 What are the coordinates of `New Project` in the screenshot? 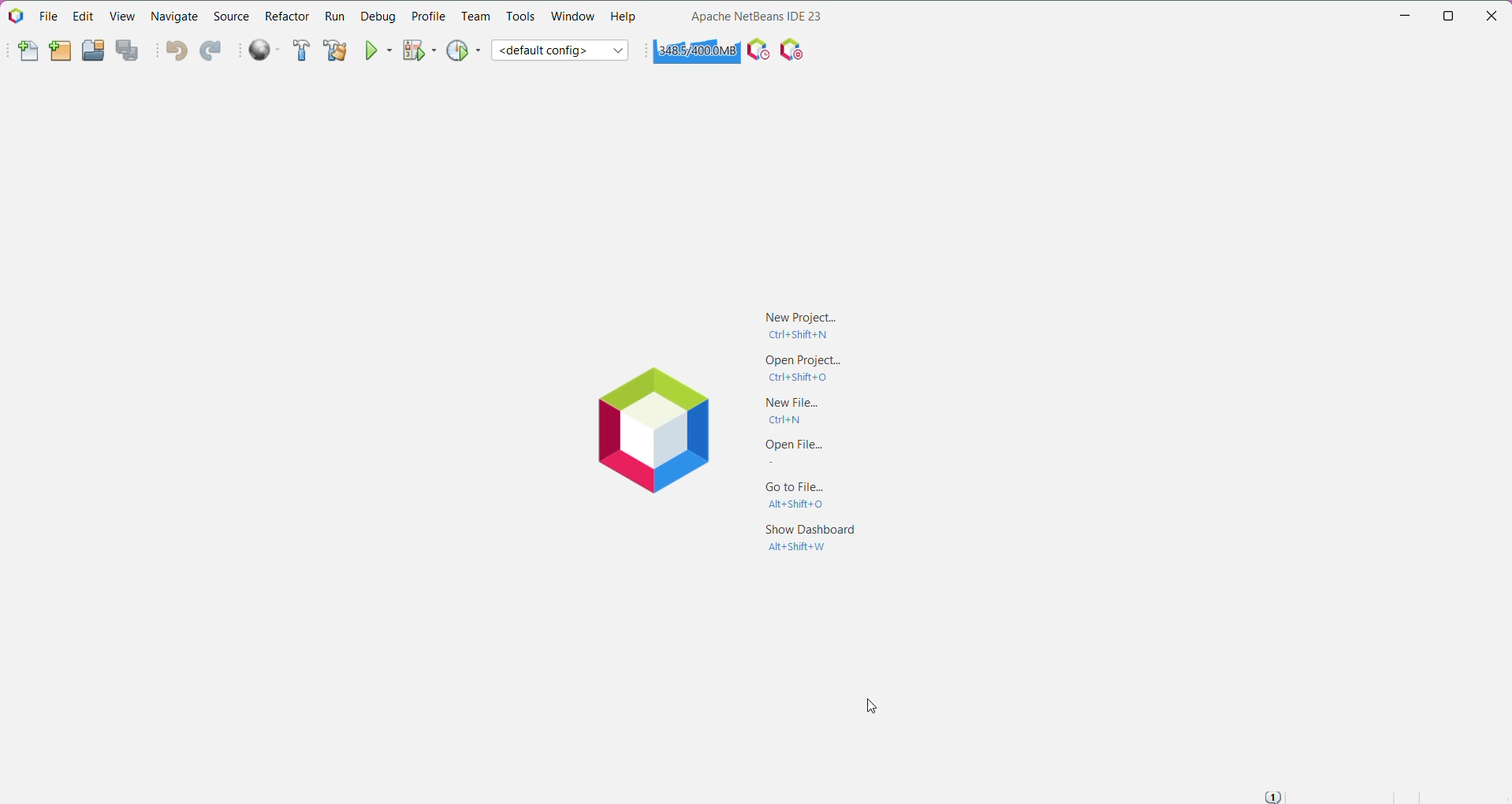 It's located at (60, 52).